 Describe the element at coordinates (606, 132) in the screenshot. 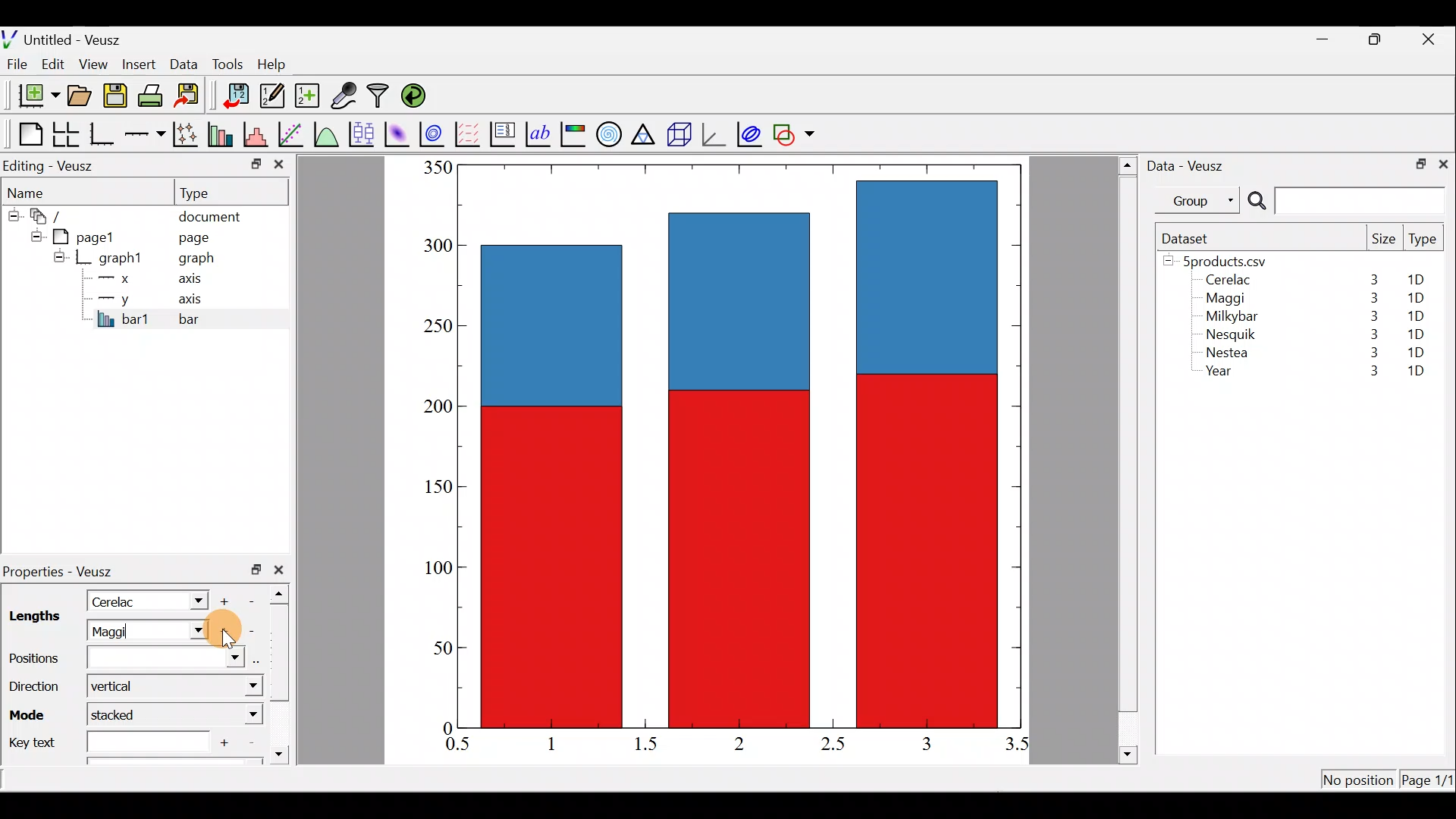

I see `Polar graph` at that location.